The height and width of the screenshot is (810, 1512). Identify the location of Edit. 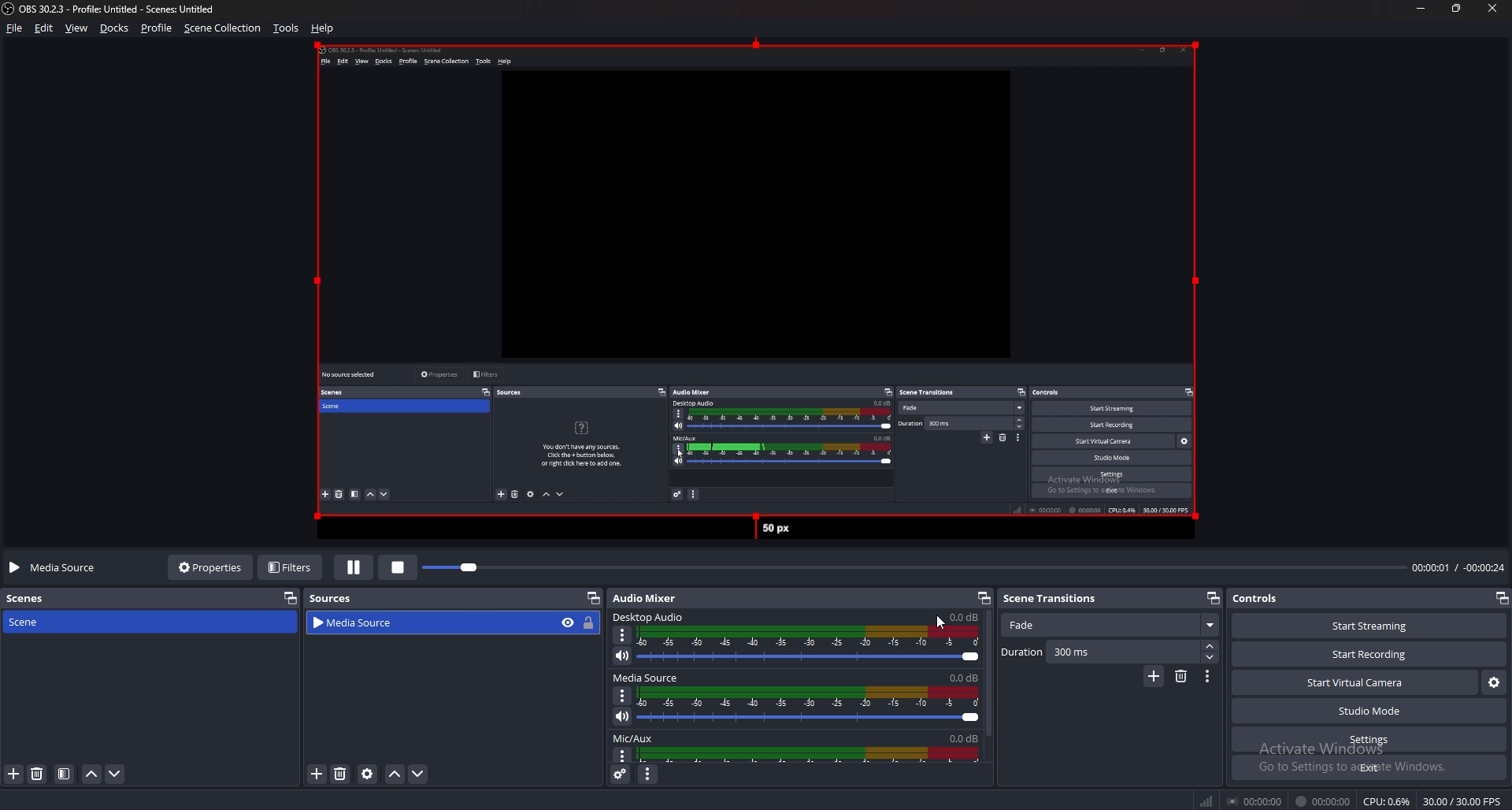
(46, 28).